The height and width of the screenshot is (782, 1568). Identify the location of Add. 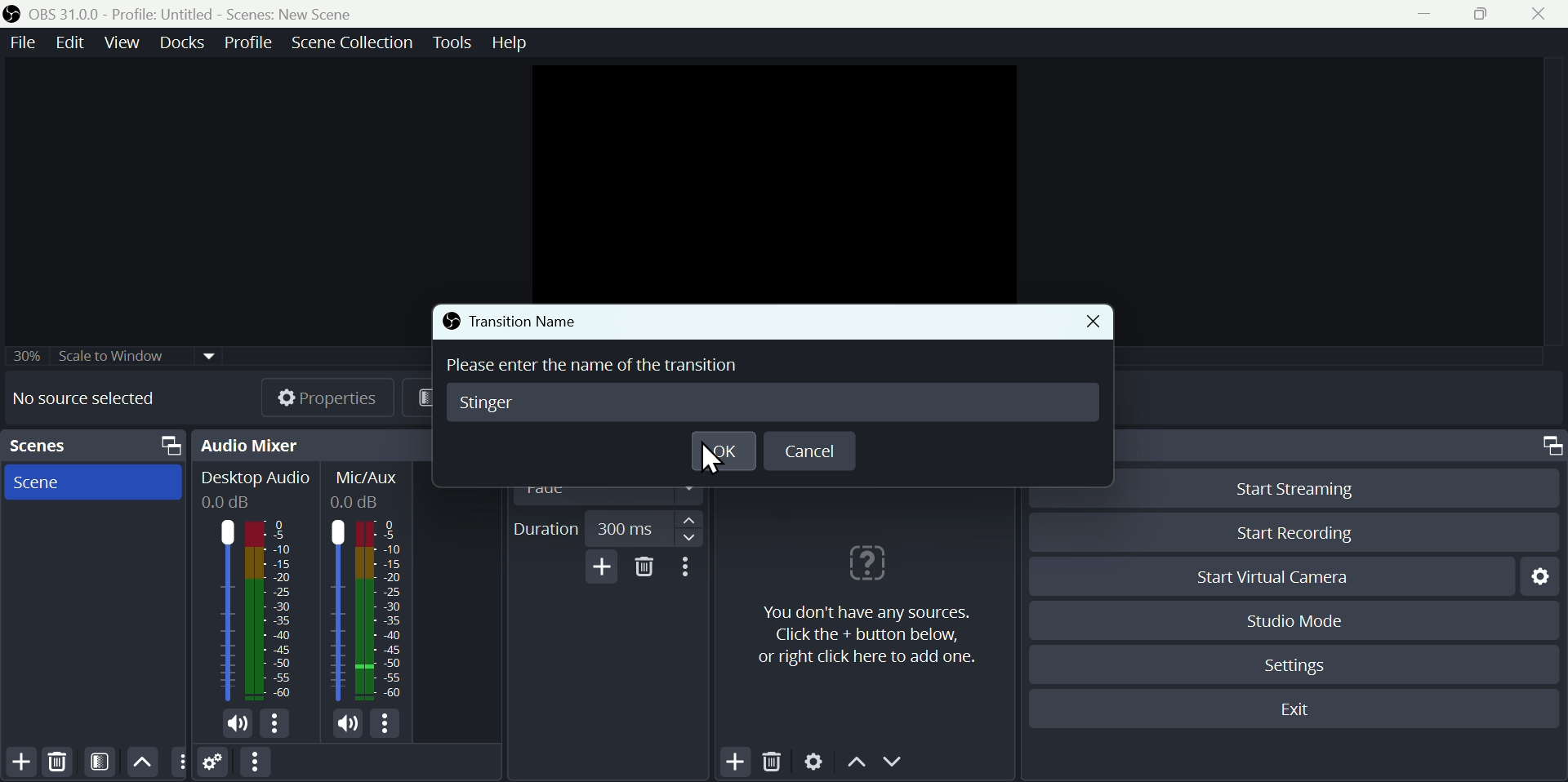
(736, 761).